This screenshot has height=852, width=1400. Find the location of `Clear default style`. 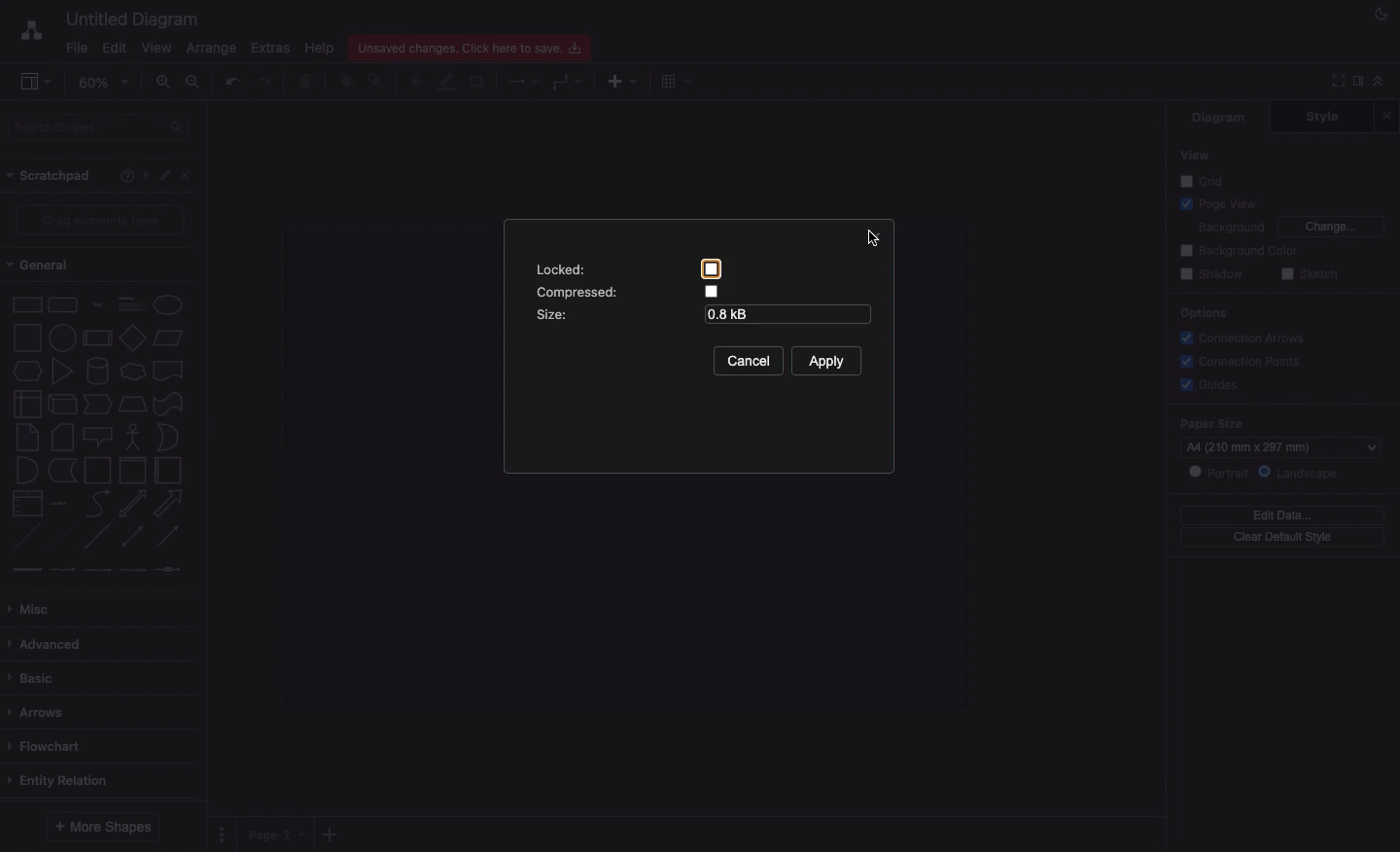

Clear default style is located at coordinates (1282, 538).